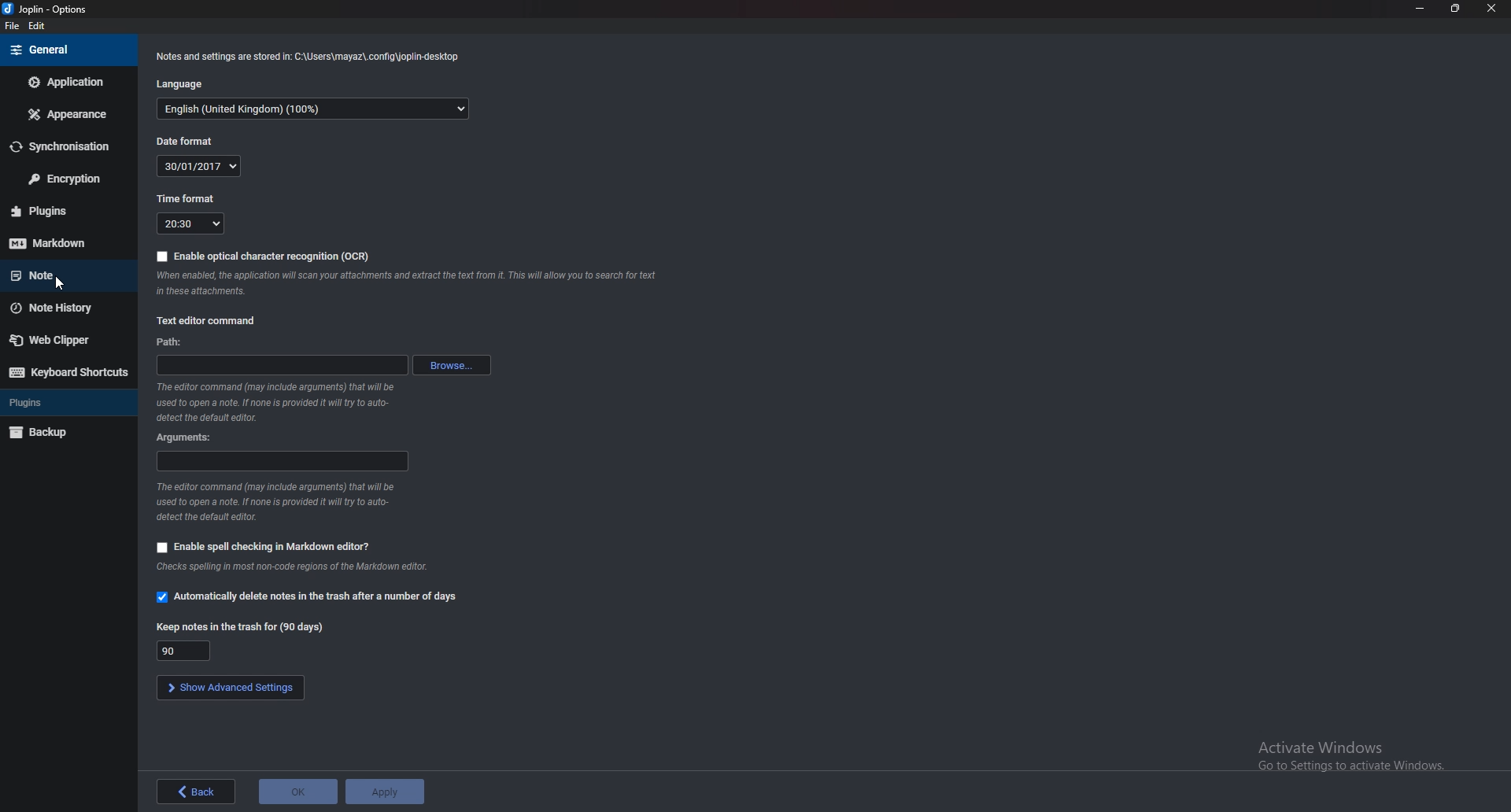 The width and height of the screenshot is (1511, 812). What do you see at coordinates (191, 197) in the screenshot?
I see `Time format` at bounding box center [191, 197].